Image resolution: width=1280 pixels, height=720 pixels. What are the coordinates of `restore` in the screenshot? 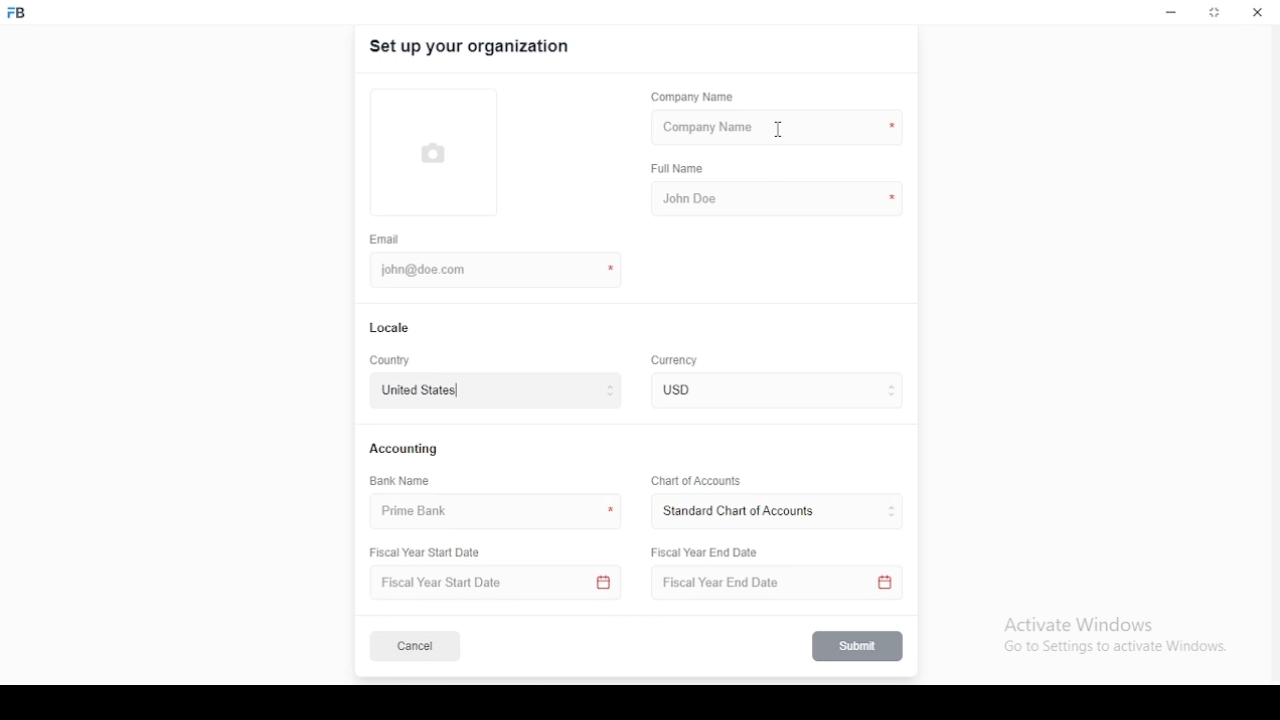 It's located at (1216, 14).